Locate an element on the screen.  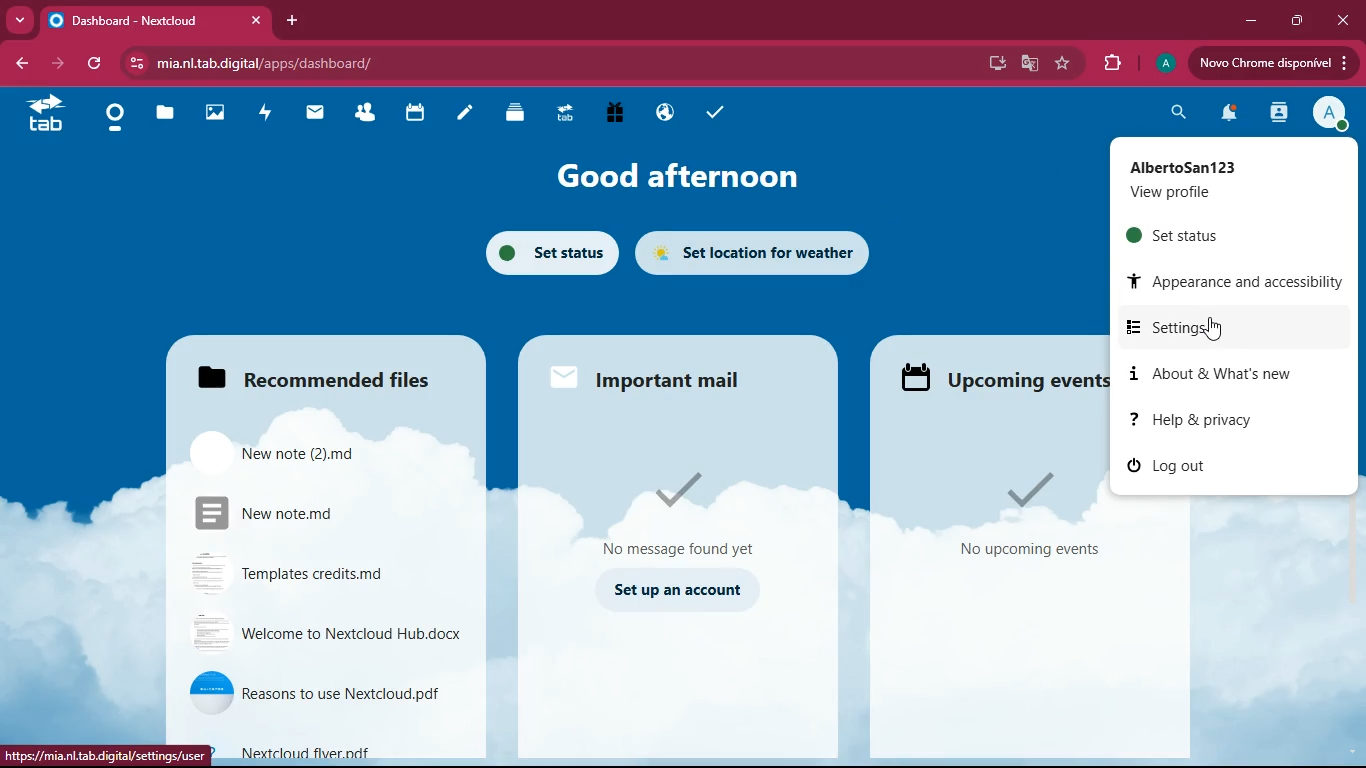
file is located at coordinates (306, 575).